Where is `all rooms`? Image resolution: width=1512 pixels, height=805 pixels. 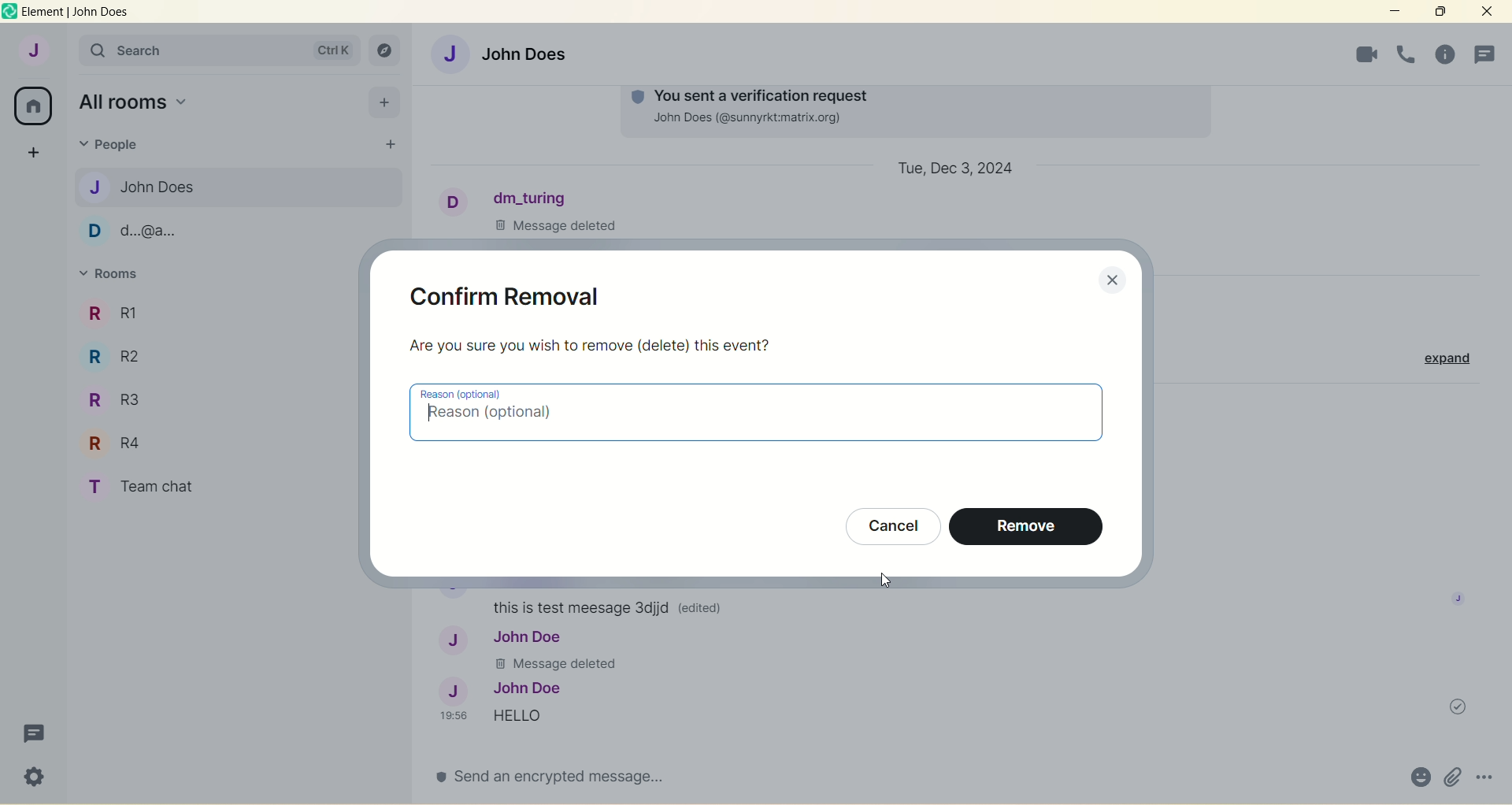 all rooms is located at coordinates (35, 105).